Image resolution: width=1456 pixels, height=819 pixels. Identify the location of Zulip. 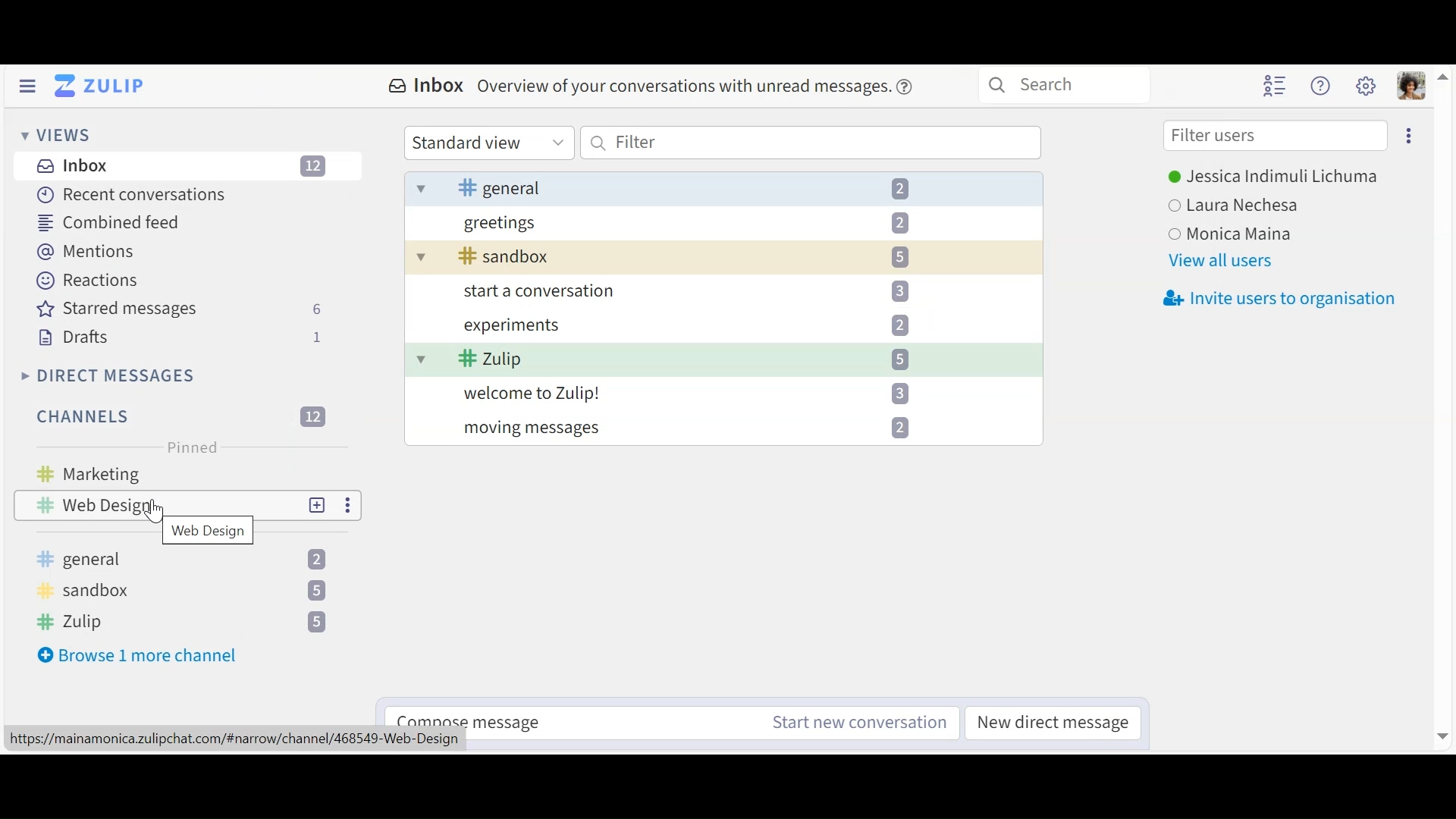
(719, 357).